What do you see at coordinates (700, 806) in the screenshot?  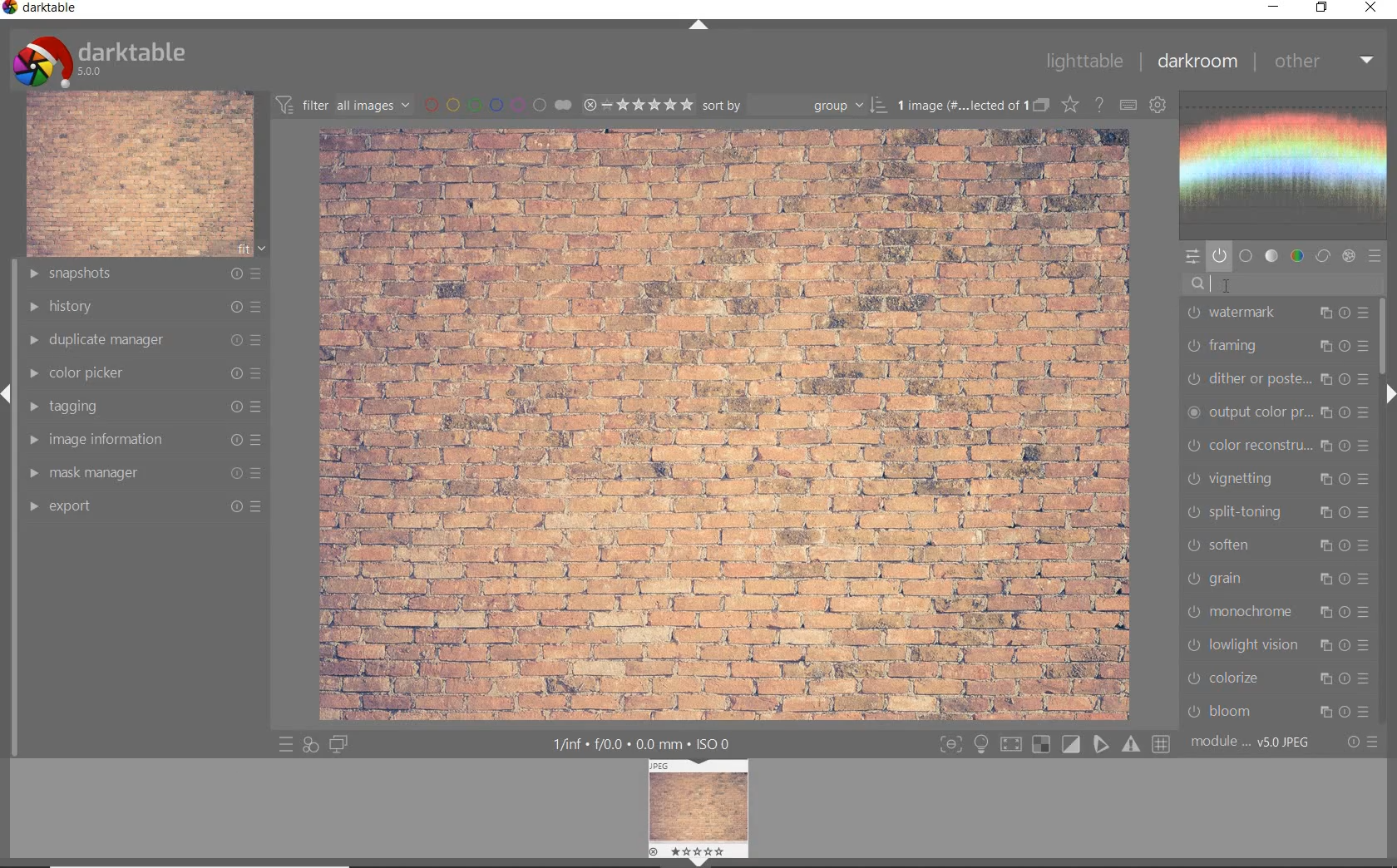 I see `image preview` at bounding box center [700, 806].